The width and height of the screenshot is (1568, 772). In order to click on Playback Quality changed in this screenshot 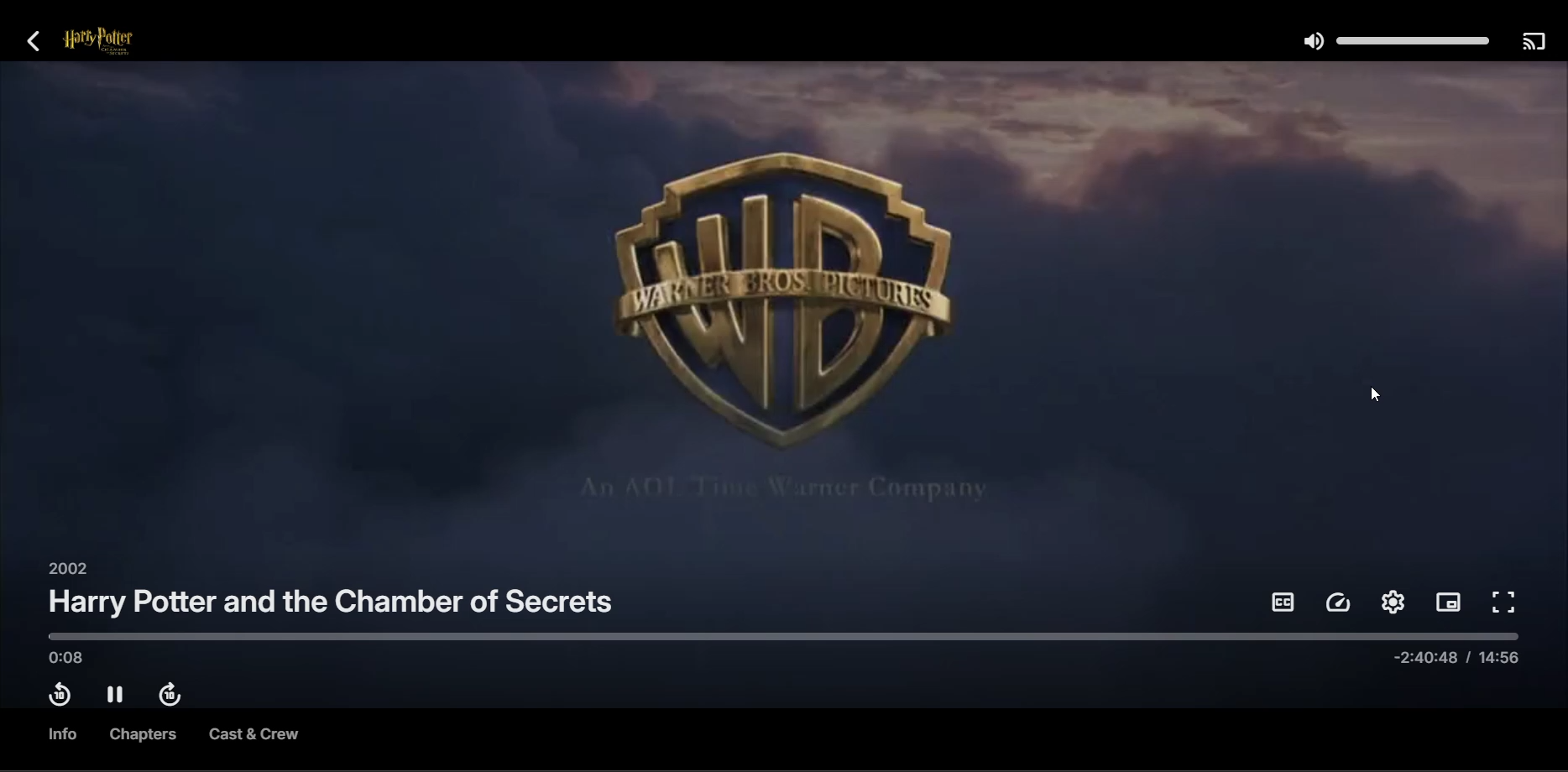, I will do `click(785, 311)`.